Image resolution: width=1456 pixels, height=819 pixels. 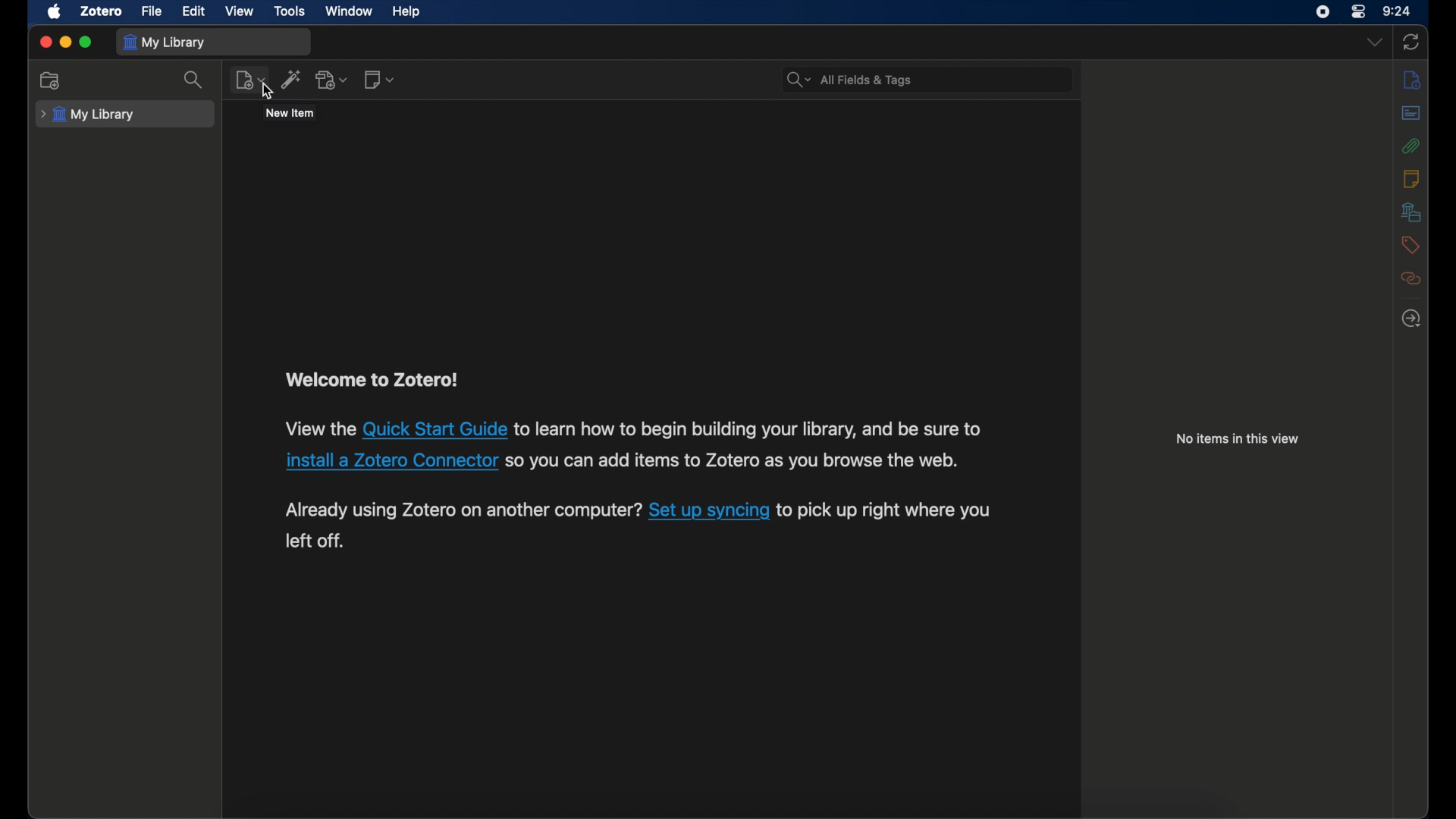 What do you see at coordinates (1398, 11) in the screenshot?
I see `time` at bounding box center [1398, 11].